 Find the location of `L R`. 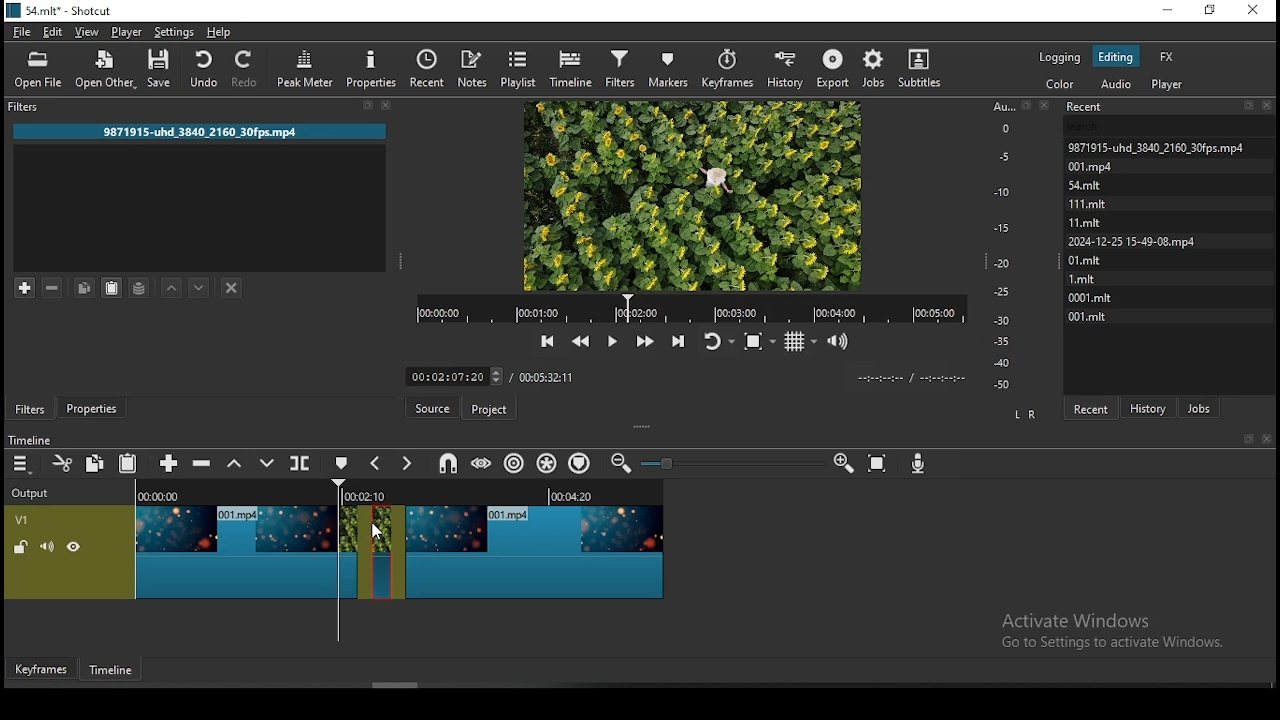

L R is located at coordinates (1026, 416).